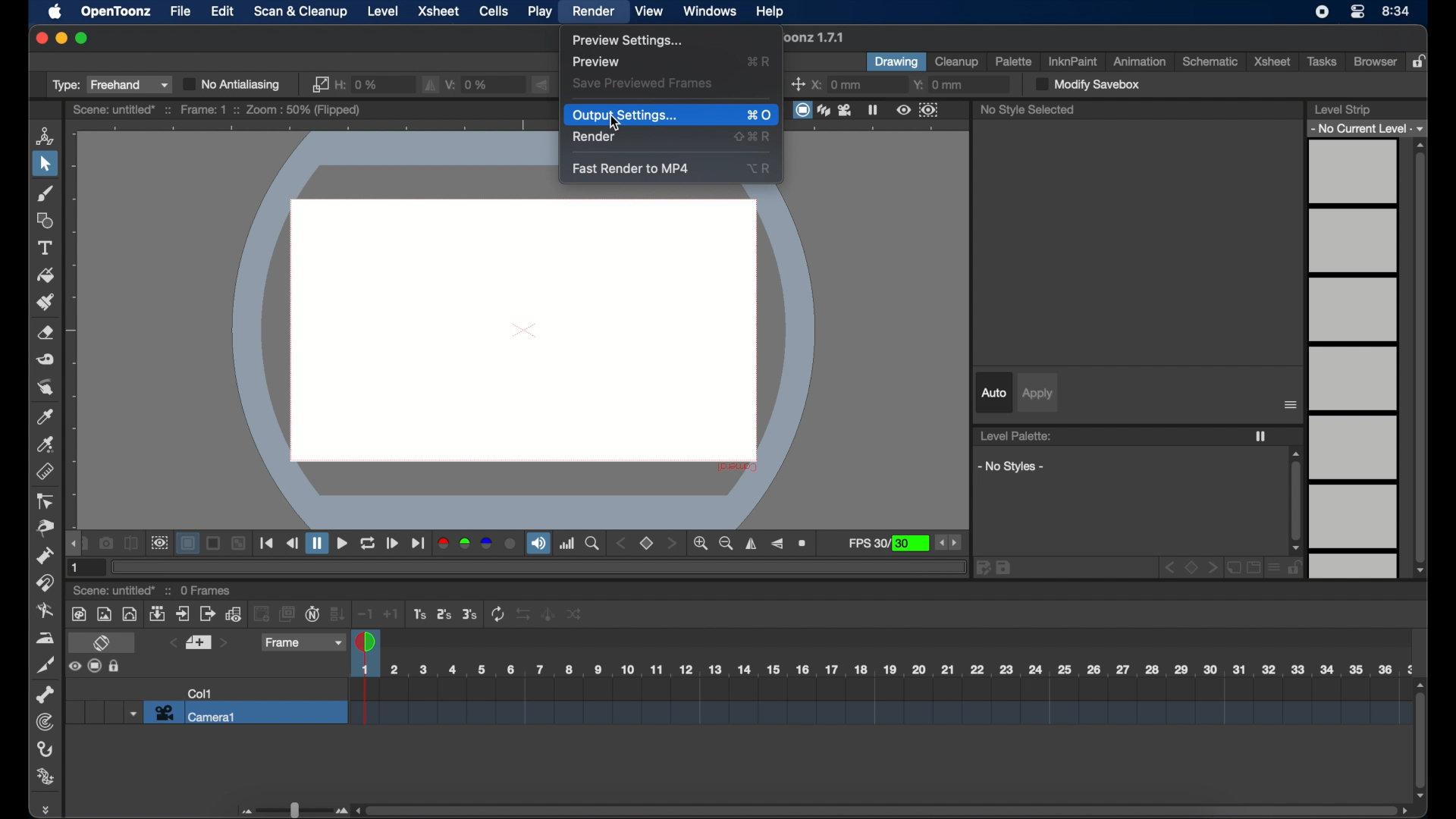  I want to click on shape tool, so click(45, 220).